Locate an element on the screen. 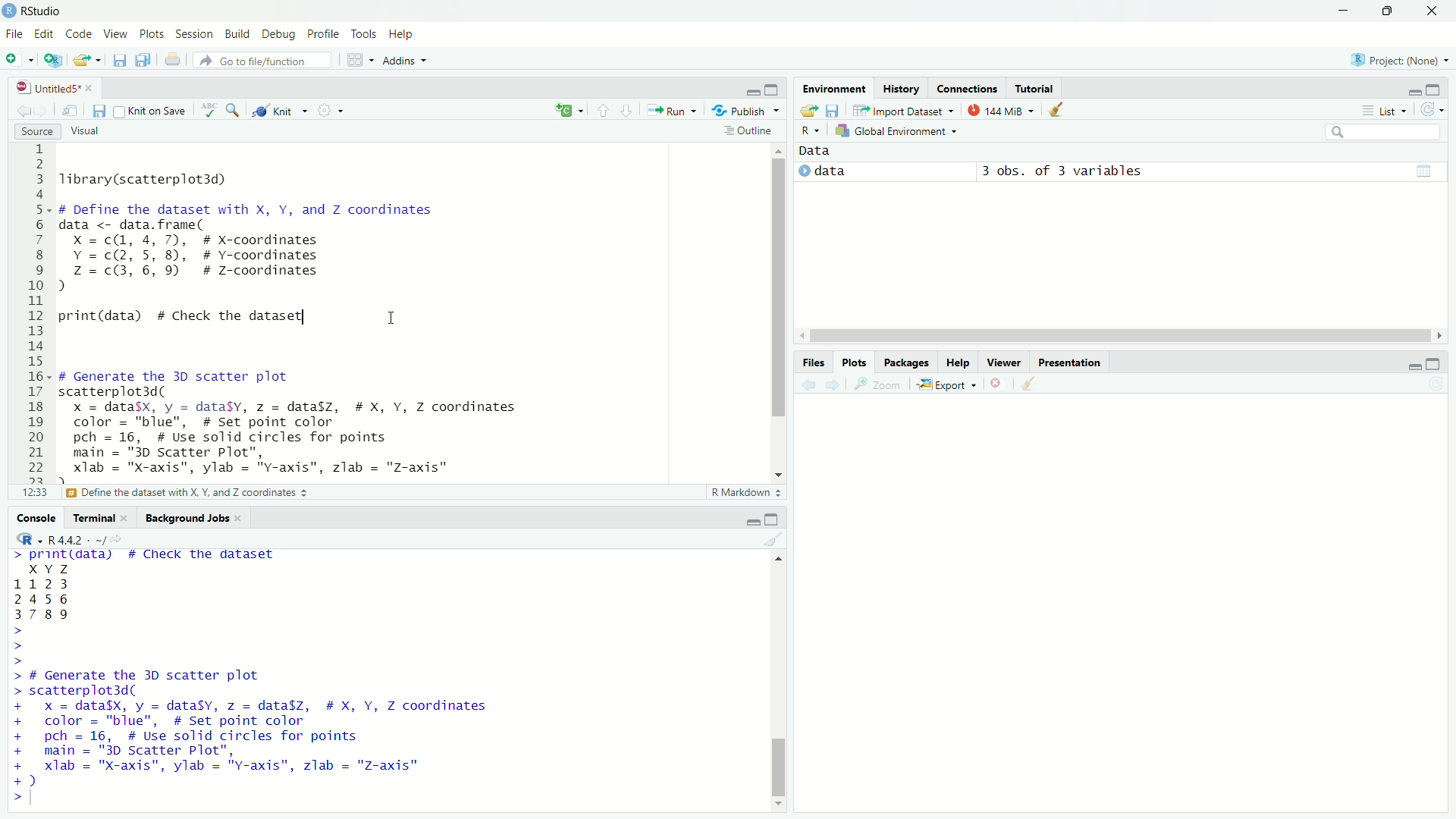  go to next section/chunk is located at coordinates (629, 114).